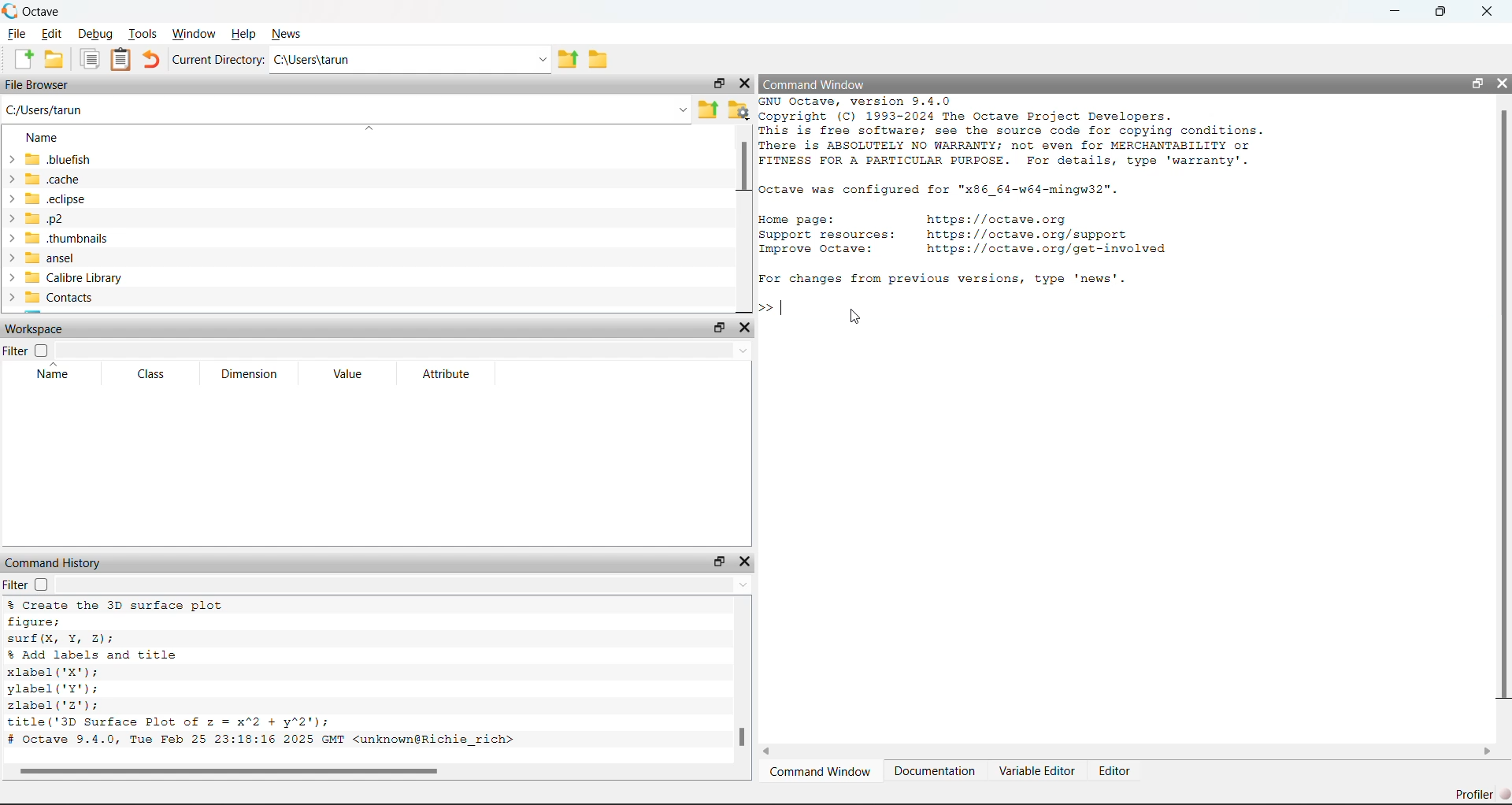  What do you see at coordinates (1128, 751) in the screenshot?
I see `Scroll` at bounding box center [1128, 751].